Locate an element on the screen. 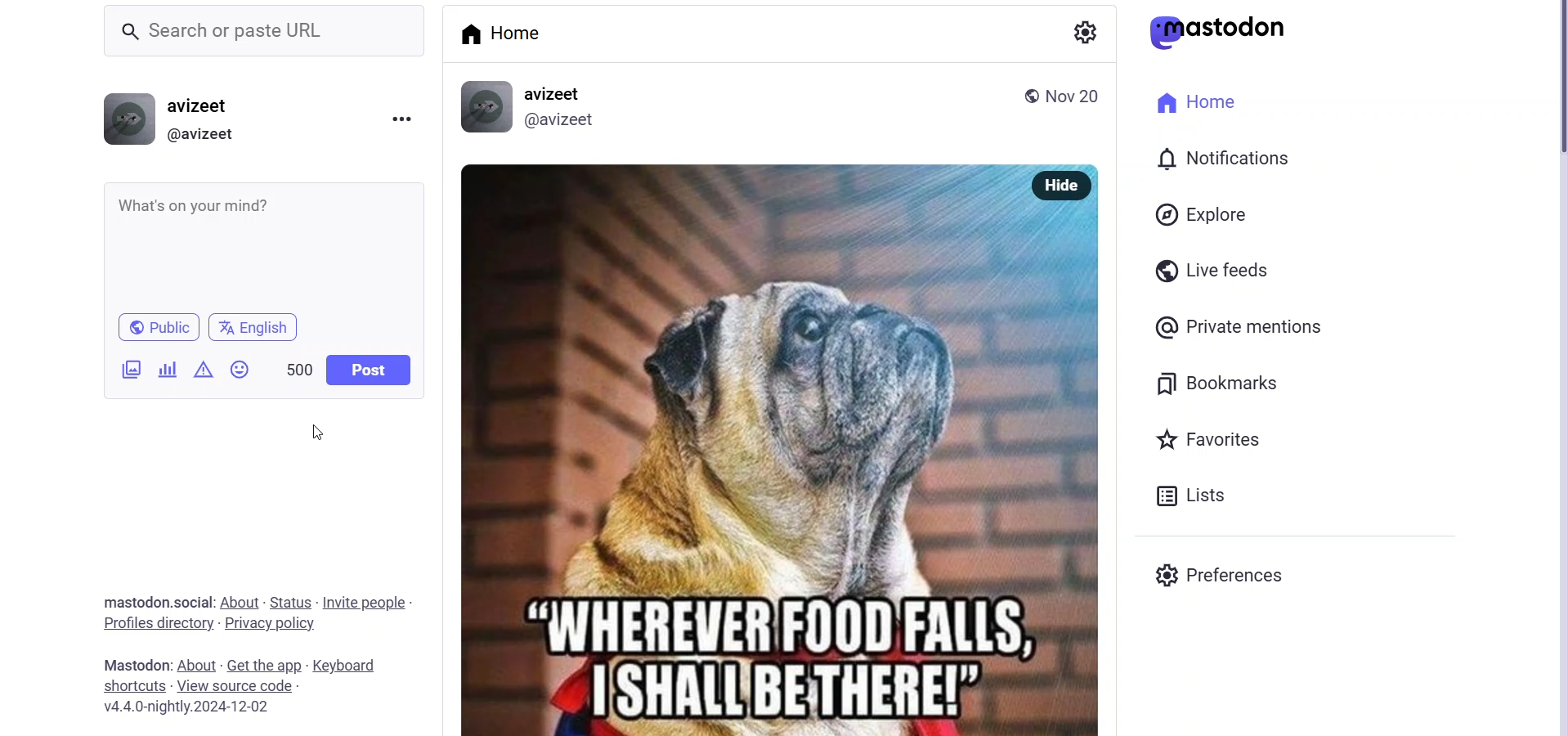 The height and width of the screenshot is (736, 1568). privacy policy is located at coordinates (272, 624).